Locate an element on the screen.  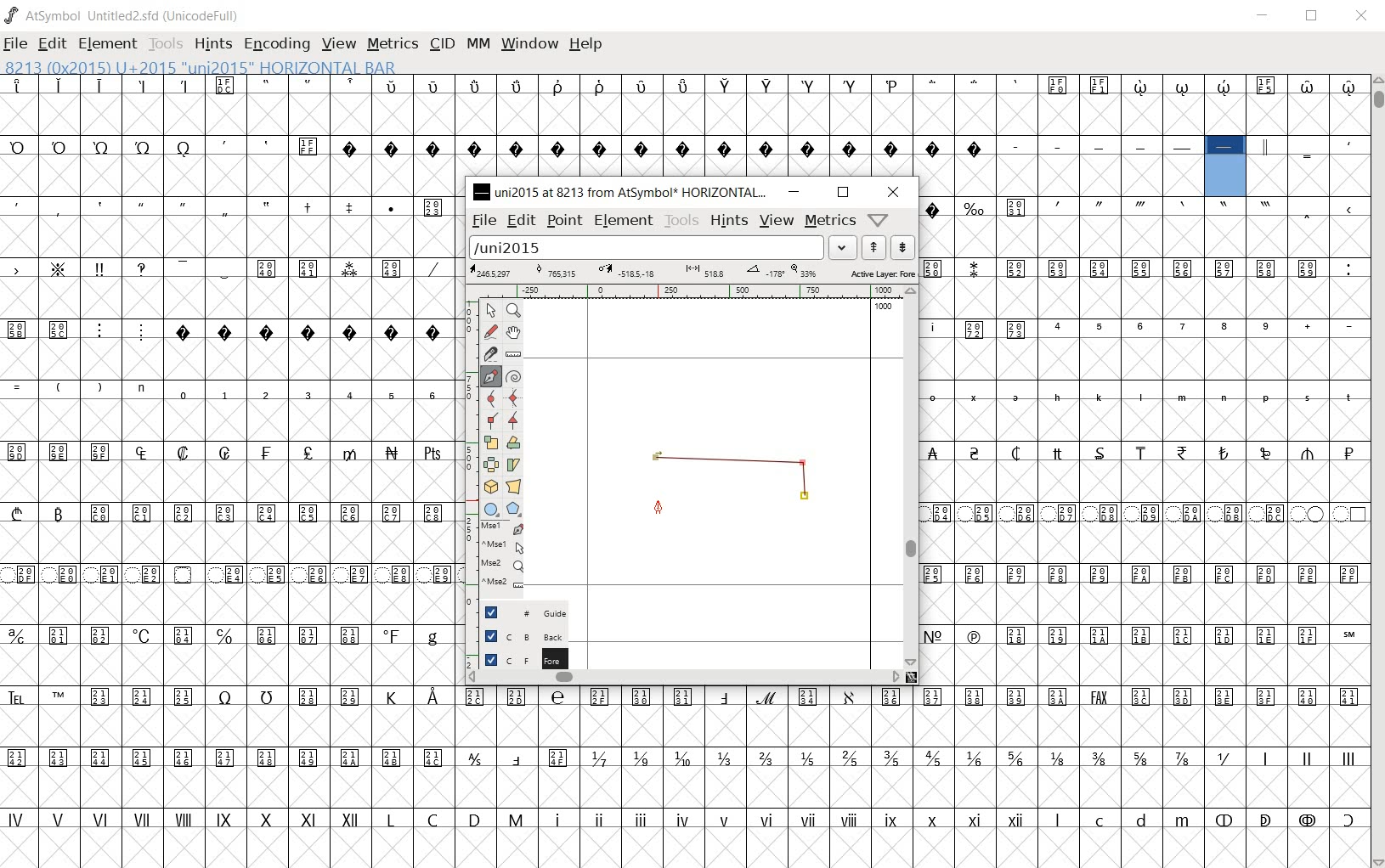
8213 (0x2015) U+2015 "uni2015" HORIZONTAL BAR is located at coordinates (1226, 167).